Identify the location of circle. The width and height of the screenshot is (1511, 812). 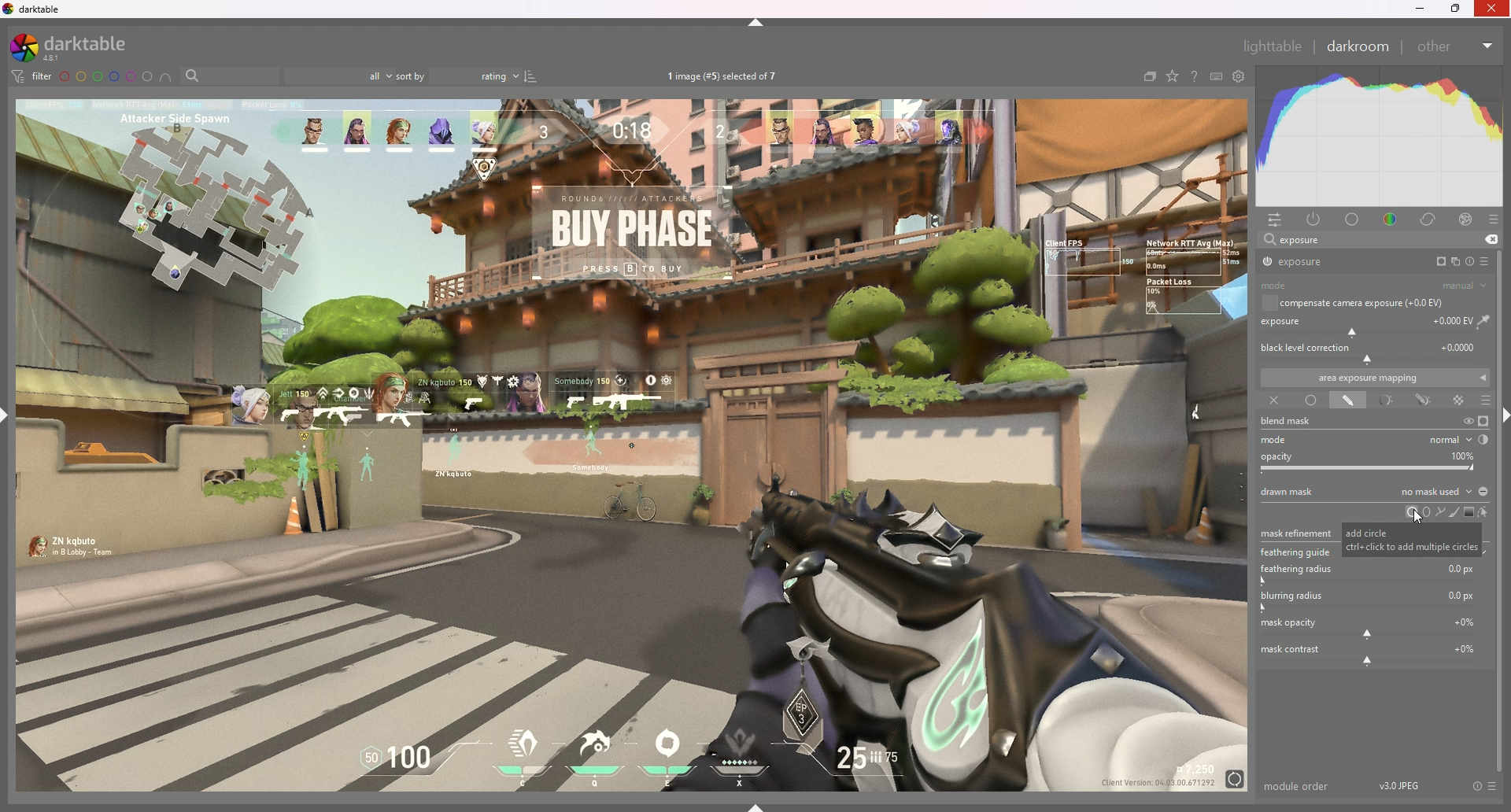
(1409, 512).